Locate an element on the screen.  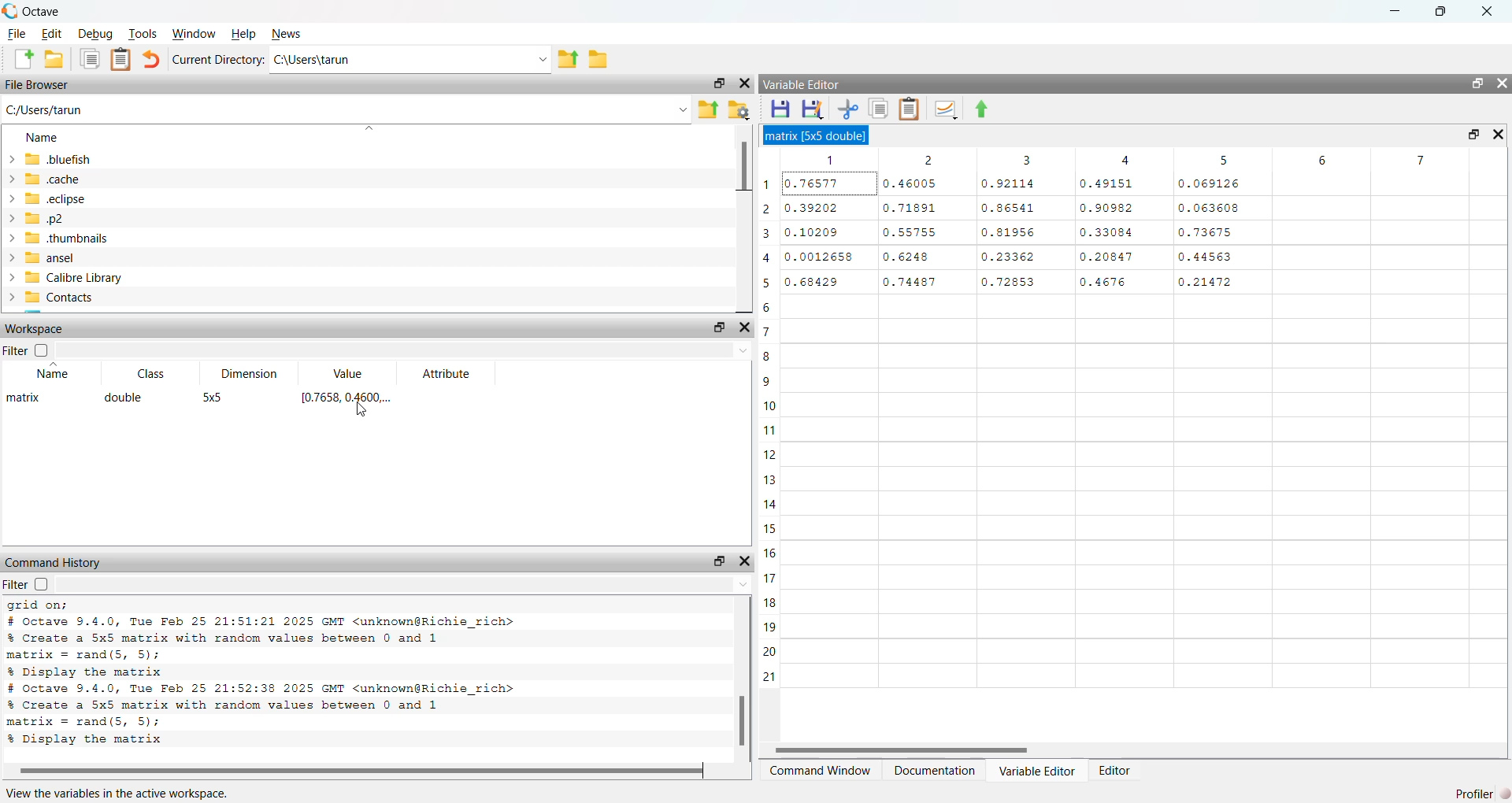
add is located at coordinates (20, 60).